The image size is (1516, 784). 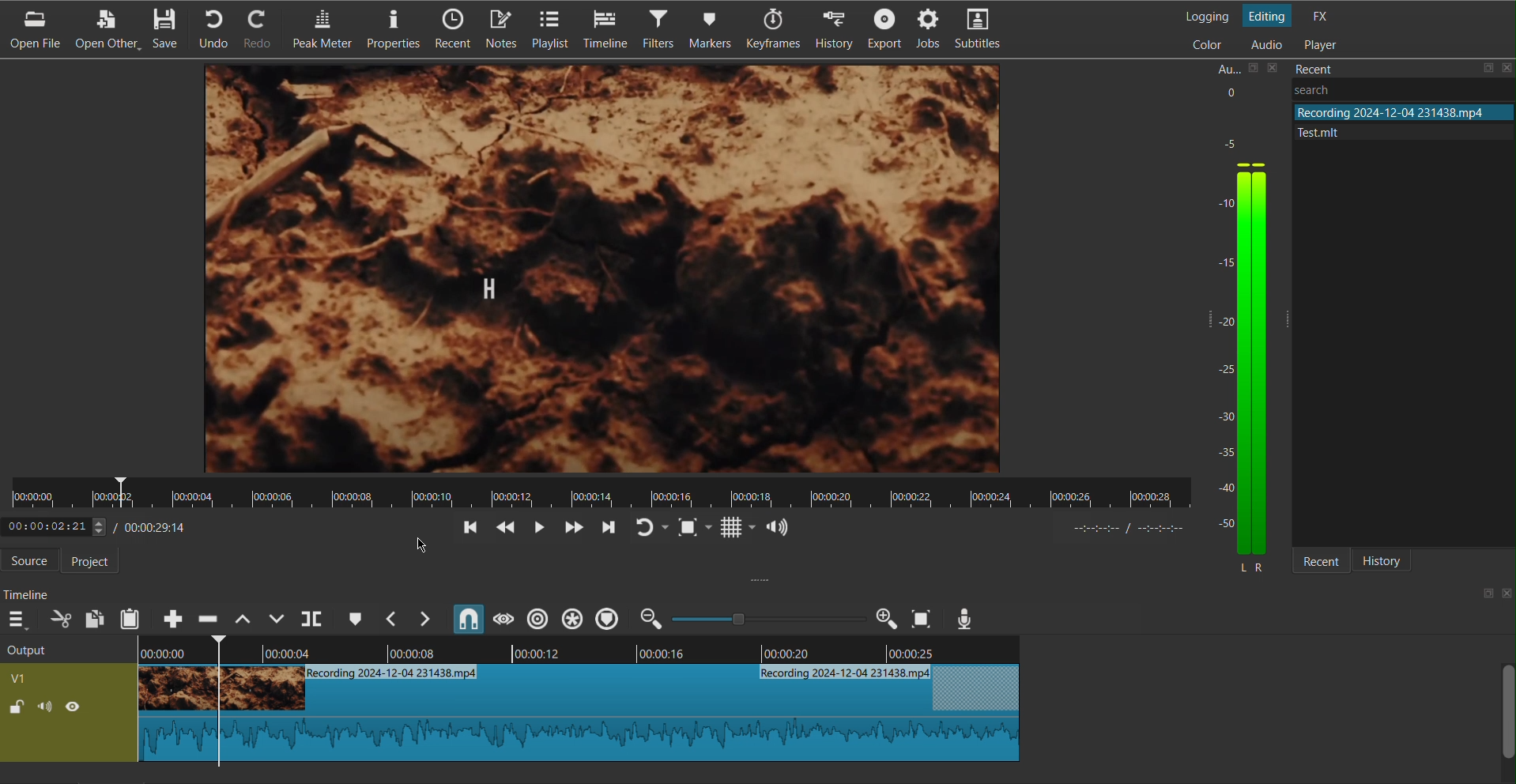 What do you see at coordinates (1487, 68) in the screenshot?
I see `save` at bounding box center [1487, 68].